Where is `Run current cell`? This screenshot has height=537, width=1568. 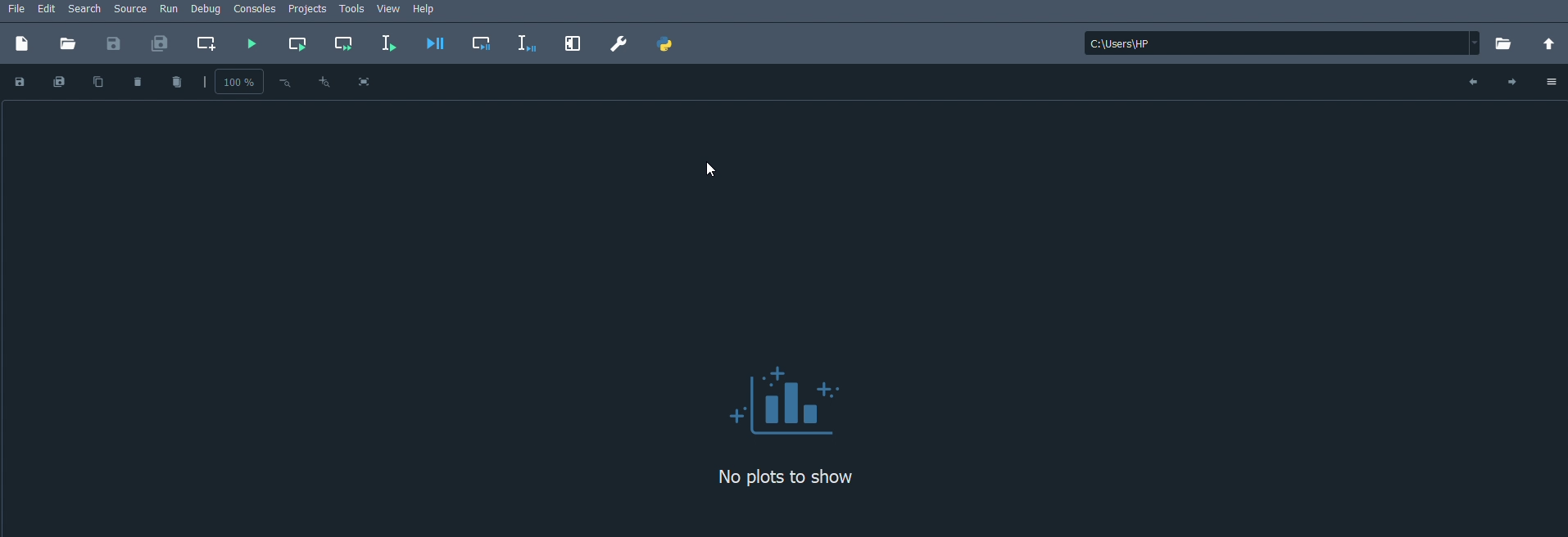
Run current cell is located at coordinates (297, 45).